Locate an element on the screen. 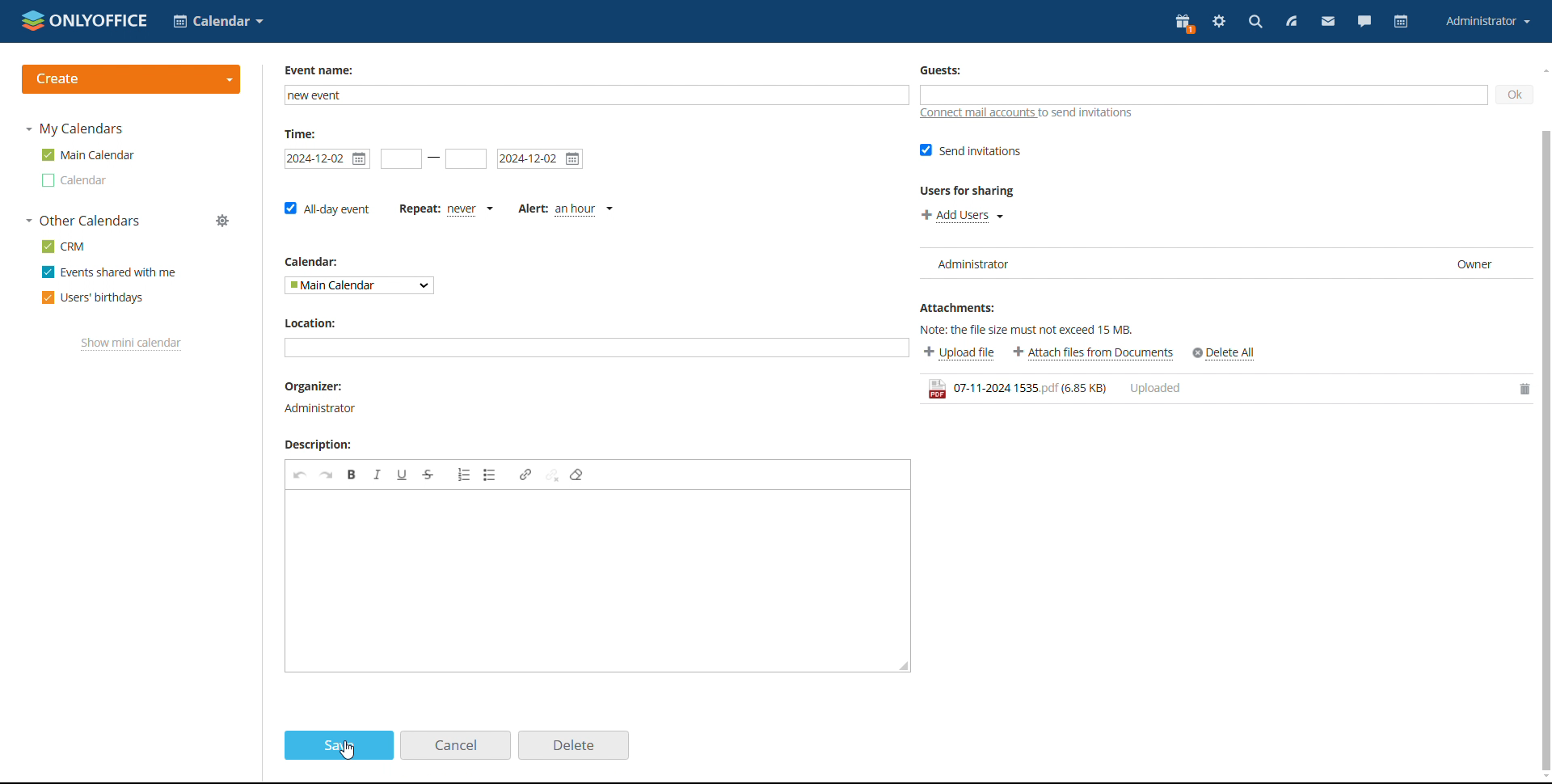 This screenshot has width=1552, height=784. calendar is located at coordinates (312, 323).